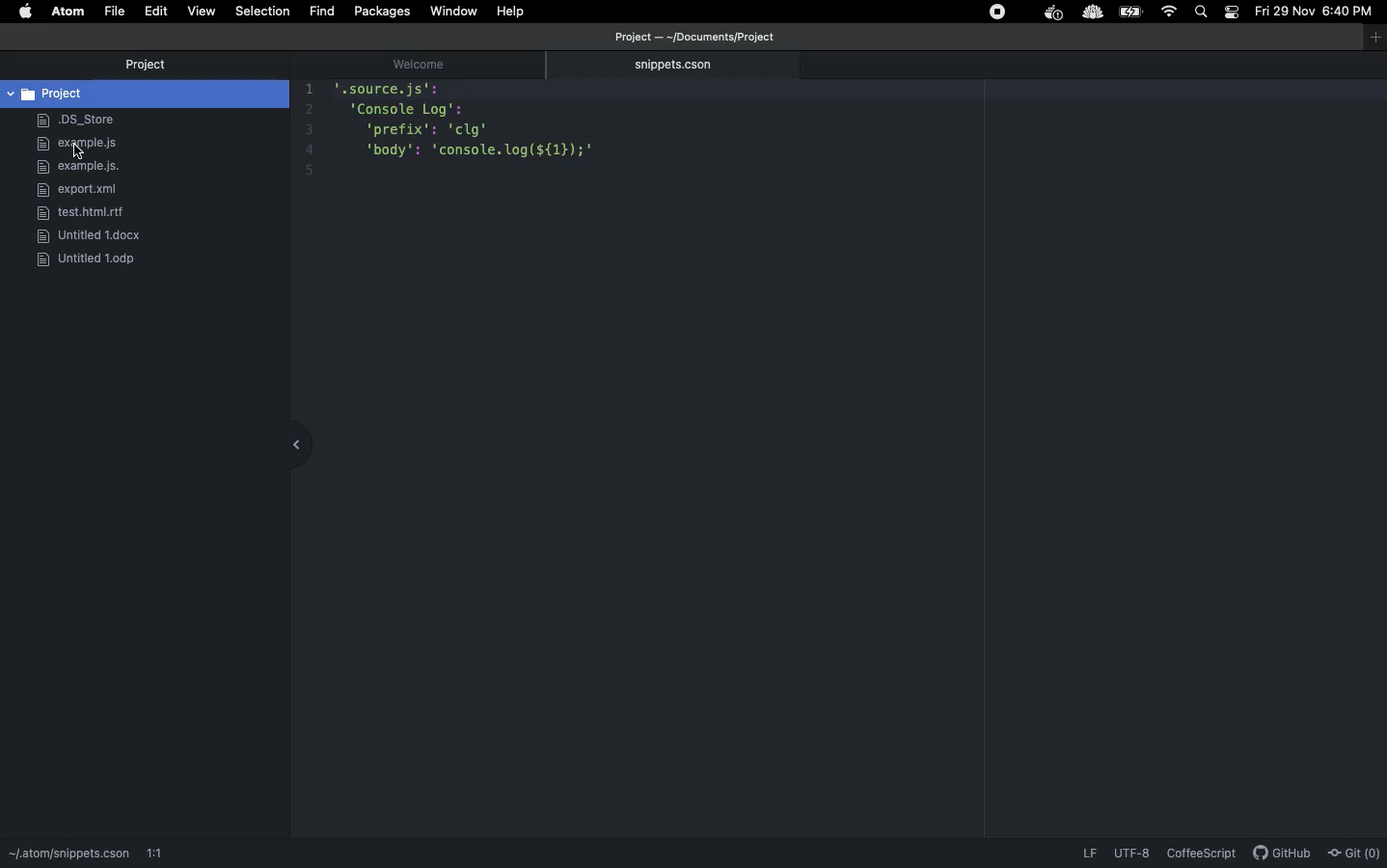  Describe the element at coordinates (385, 14) in the screenshot. I see `Packages` at that location.